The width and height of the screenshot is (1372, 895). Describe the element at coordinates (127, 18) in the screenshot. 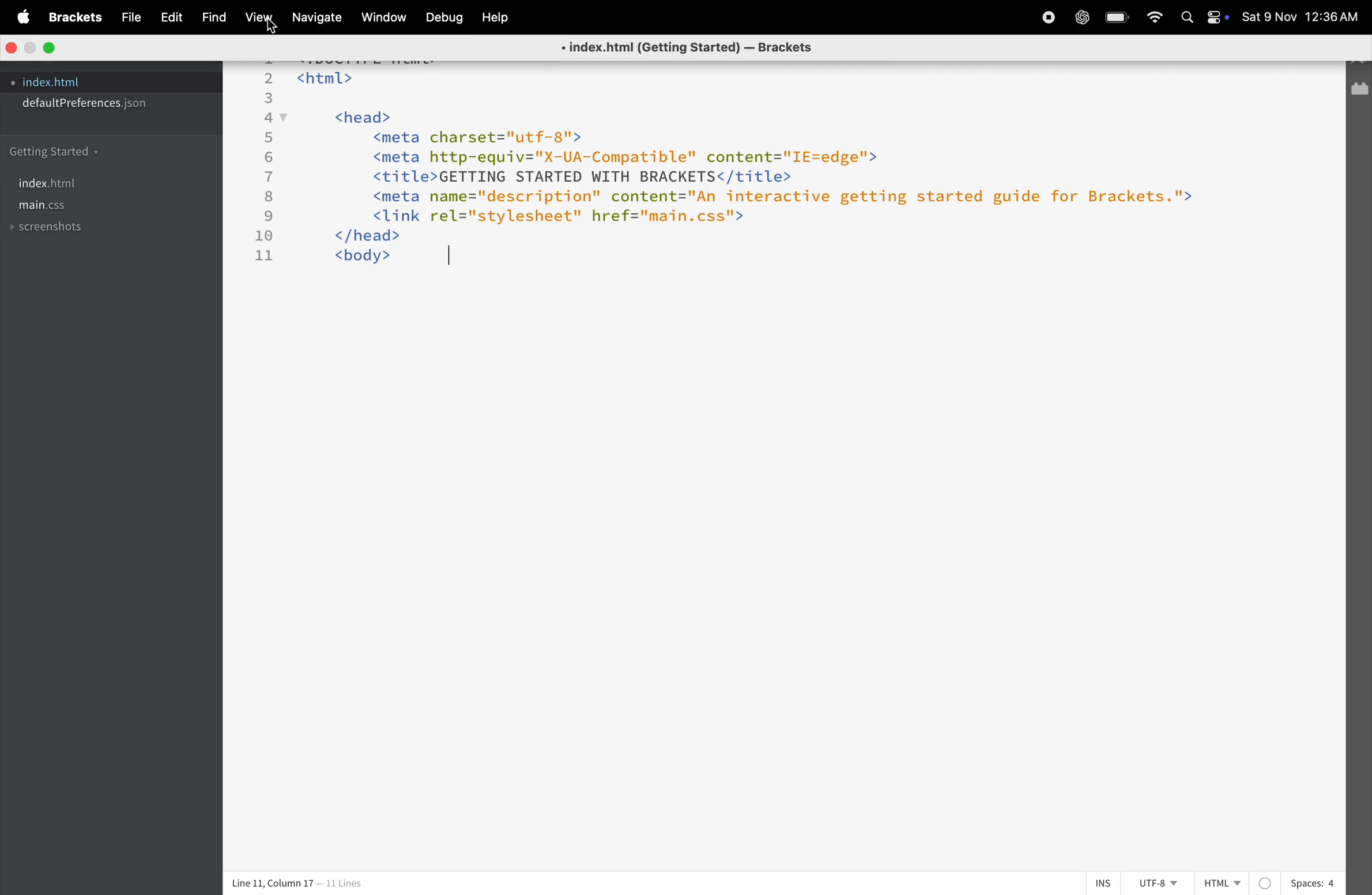

I see `file` at that location.